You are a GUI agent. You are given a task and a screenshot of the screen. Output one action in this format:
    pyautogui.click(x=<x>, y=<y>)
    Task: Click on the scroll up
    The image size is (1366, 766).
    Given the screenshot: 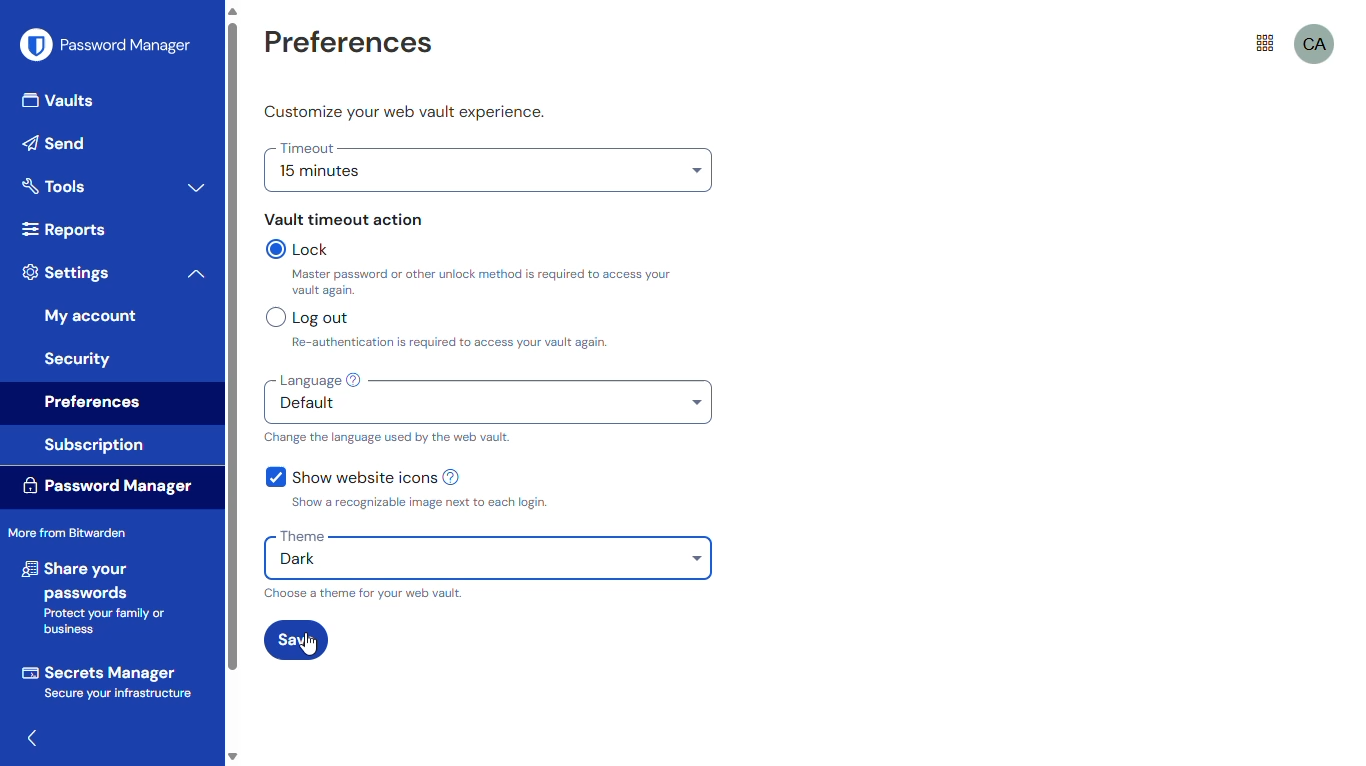 What is the action you would take?
    pyautogui.click(x=232, y=11)
    